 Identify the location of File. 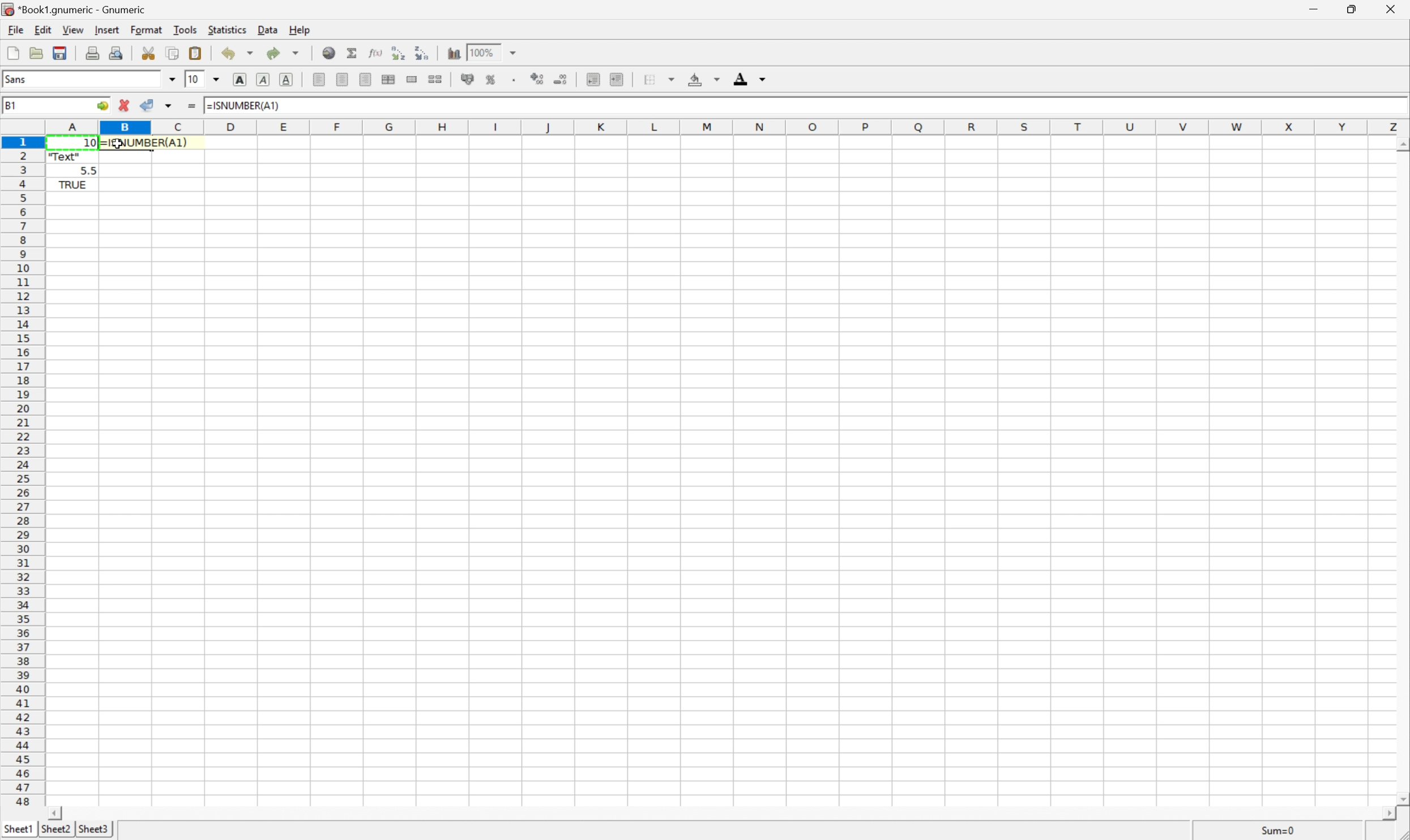
(14, 28).